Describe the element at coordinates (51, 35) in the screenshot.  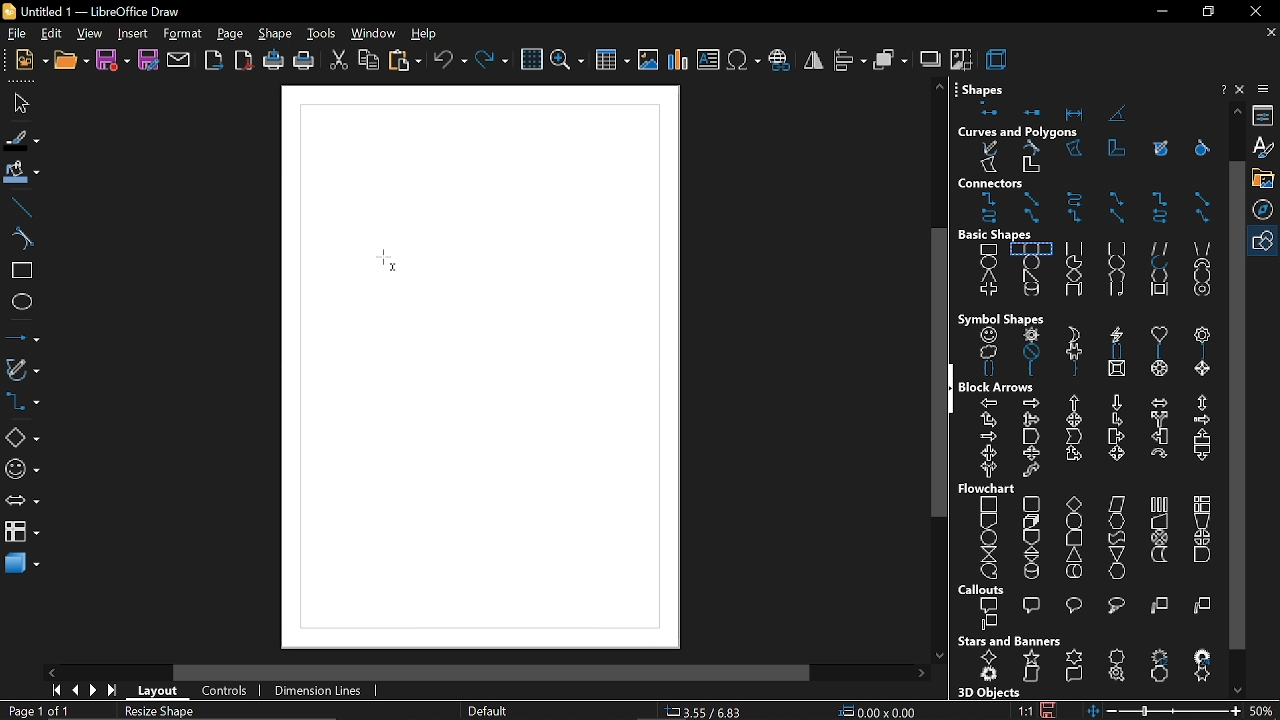
I see `edit` at that location.